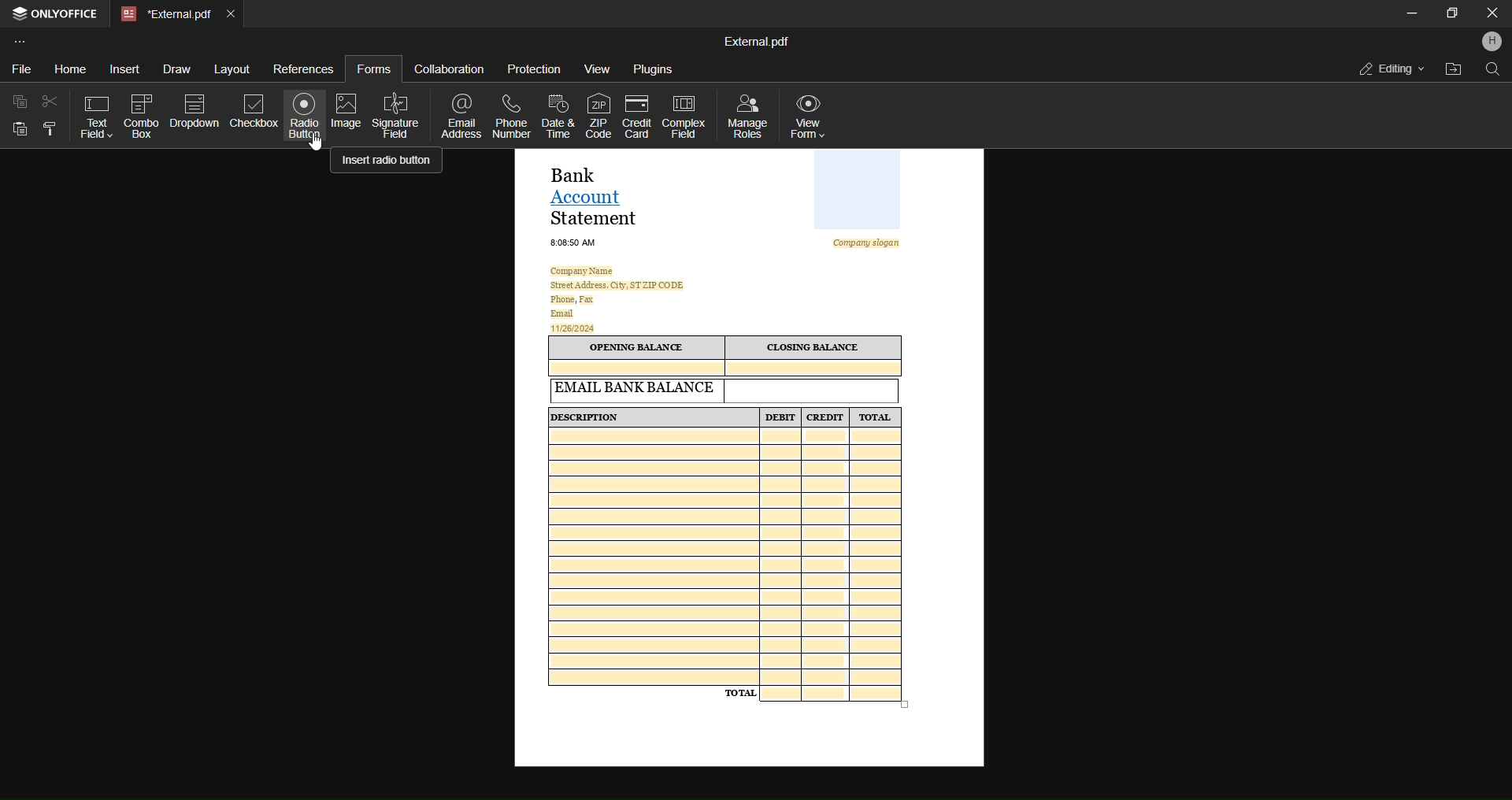  Describe the element at coordinates (165, 15) in the screenshot. I see `current open tab` at that location.